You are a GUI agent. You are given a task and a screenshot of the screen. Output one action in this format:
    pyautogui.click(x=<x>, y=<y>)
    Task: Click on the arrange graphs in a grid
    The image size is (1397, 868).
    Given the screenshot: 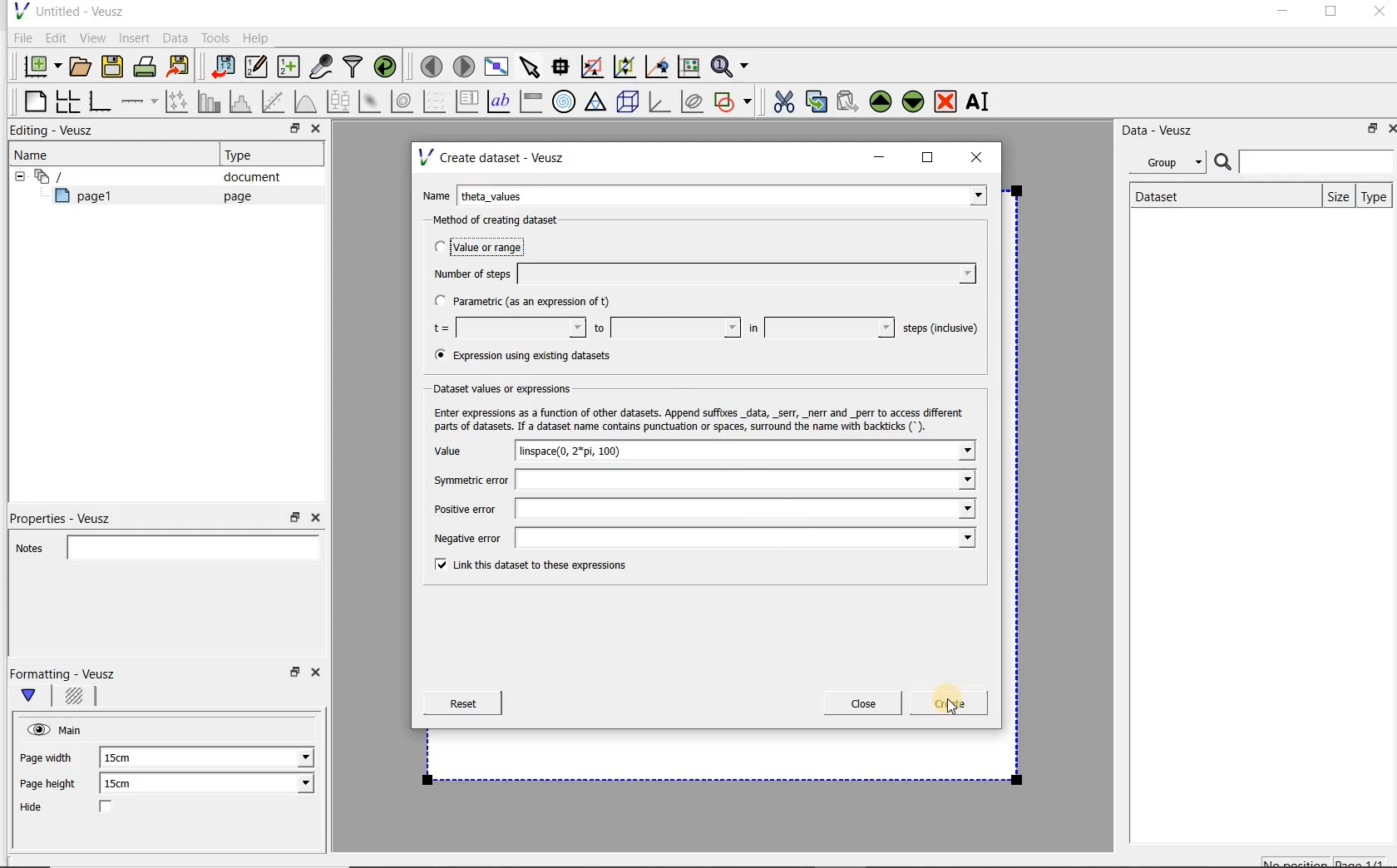 What is the action you would take?
    pyautogui.click(x=67, y=101)
    